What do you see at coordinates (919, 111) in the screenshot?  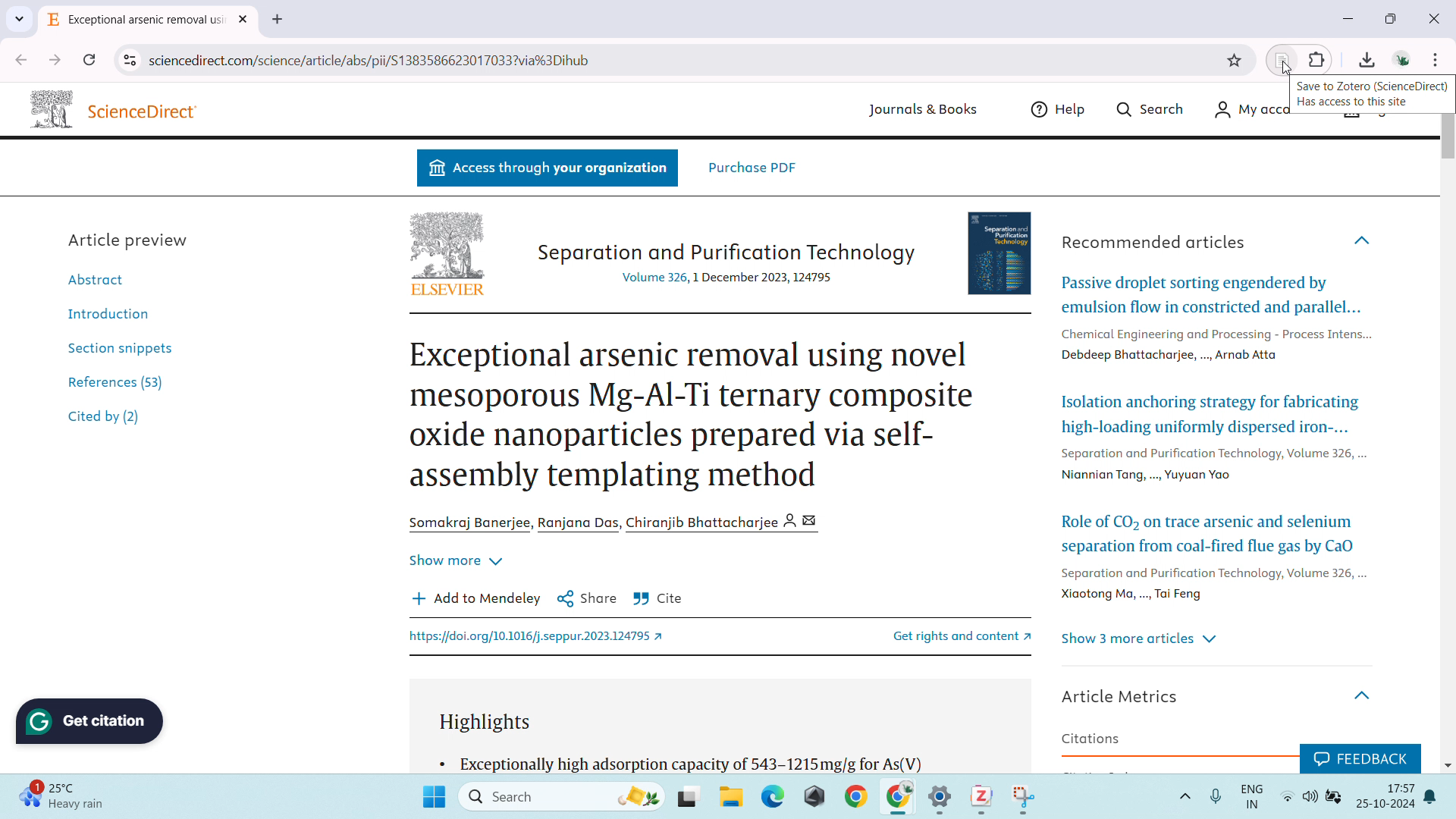 I see `Journals & Books` at bounding box center [919, 111].